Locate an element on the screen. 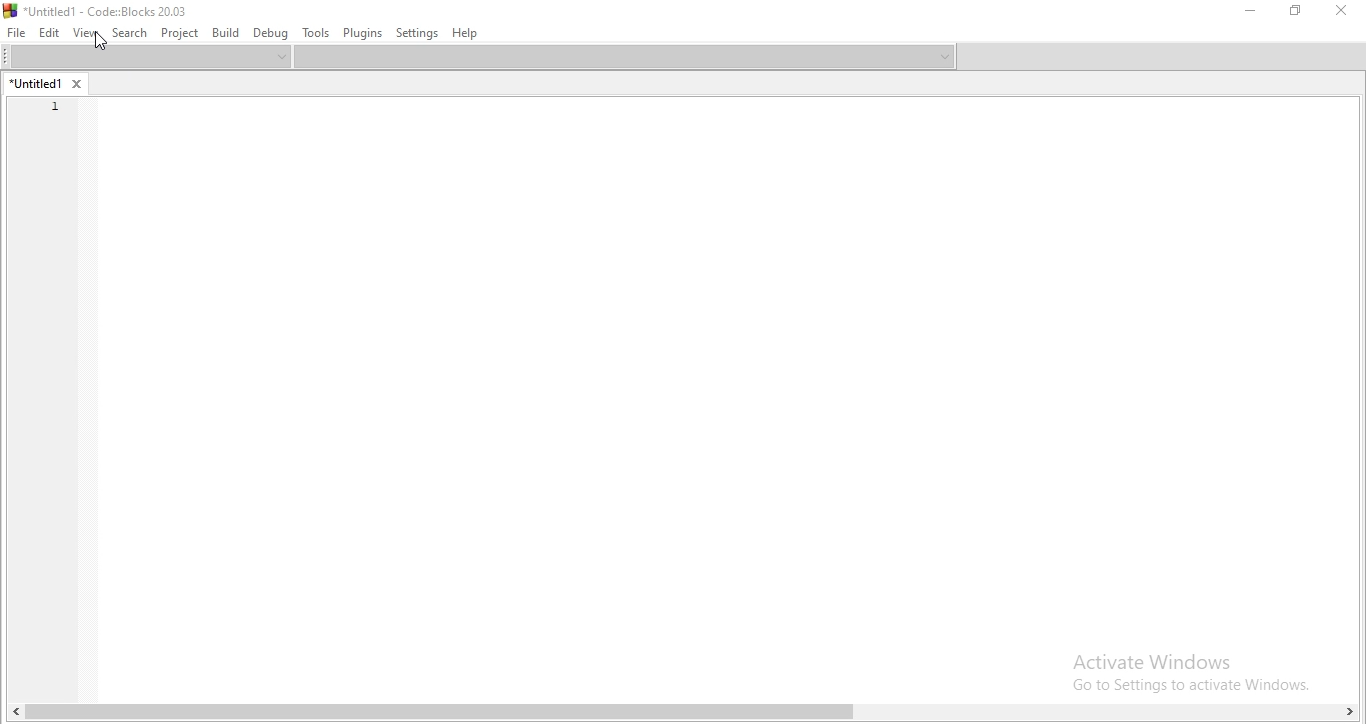  Tools  is located at coordinates (314, 32).